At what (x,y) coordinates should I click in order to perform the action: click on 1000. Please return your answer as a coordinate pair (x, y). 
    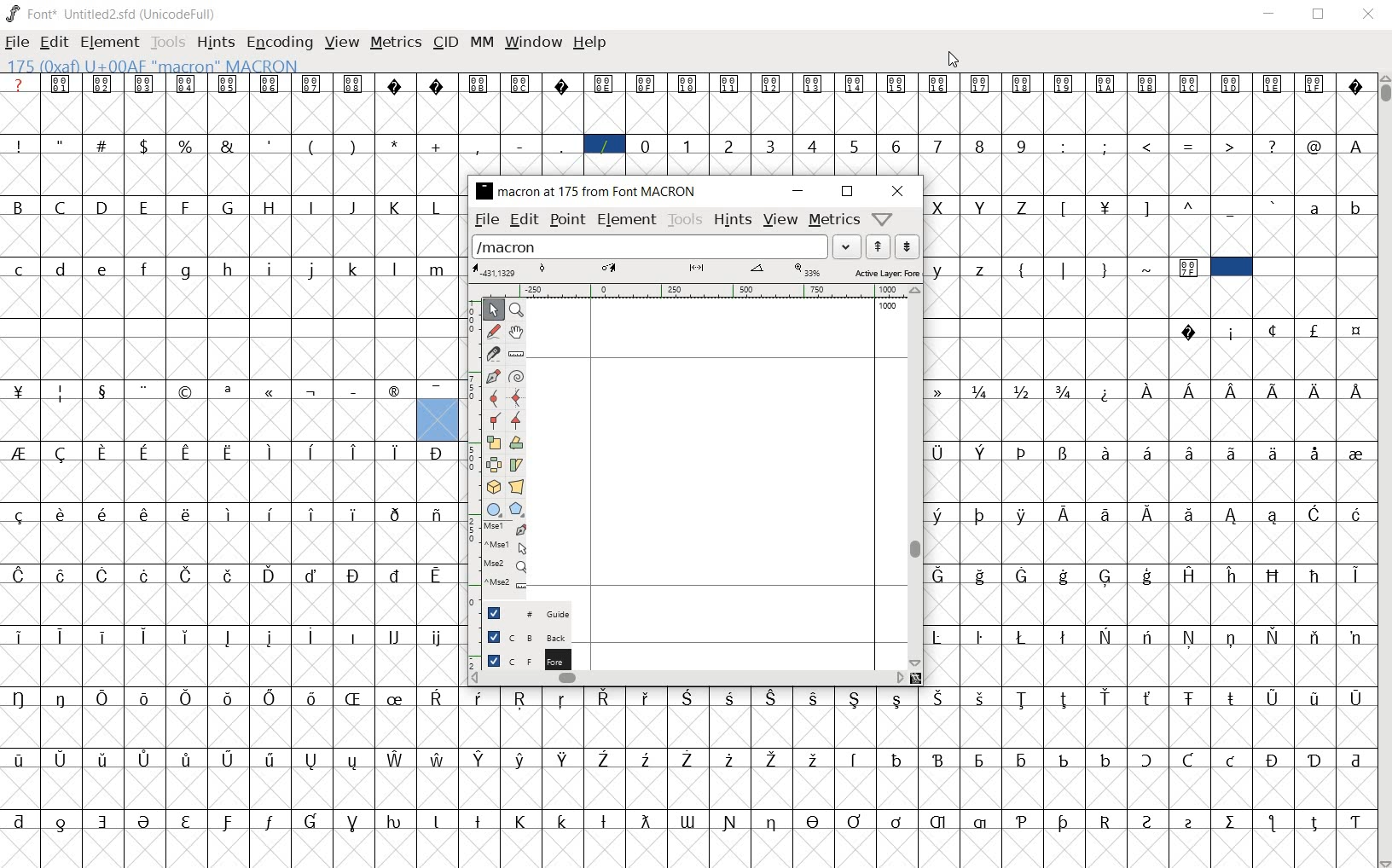
    Looking at the image, I should click on (887, 307).